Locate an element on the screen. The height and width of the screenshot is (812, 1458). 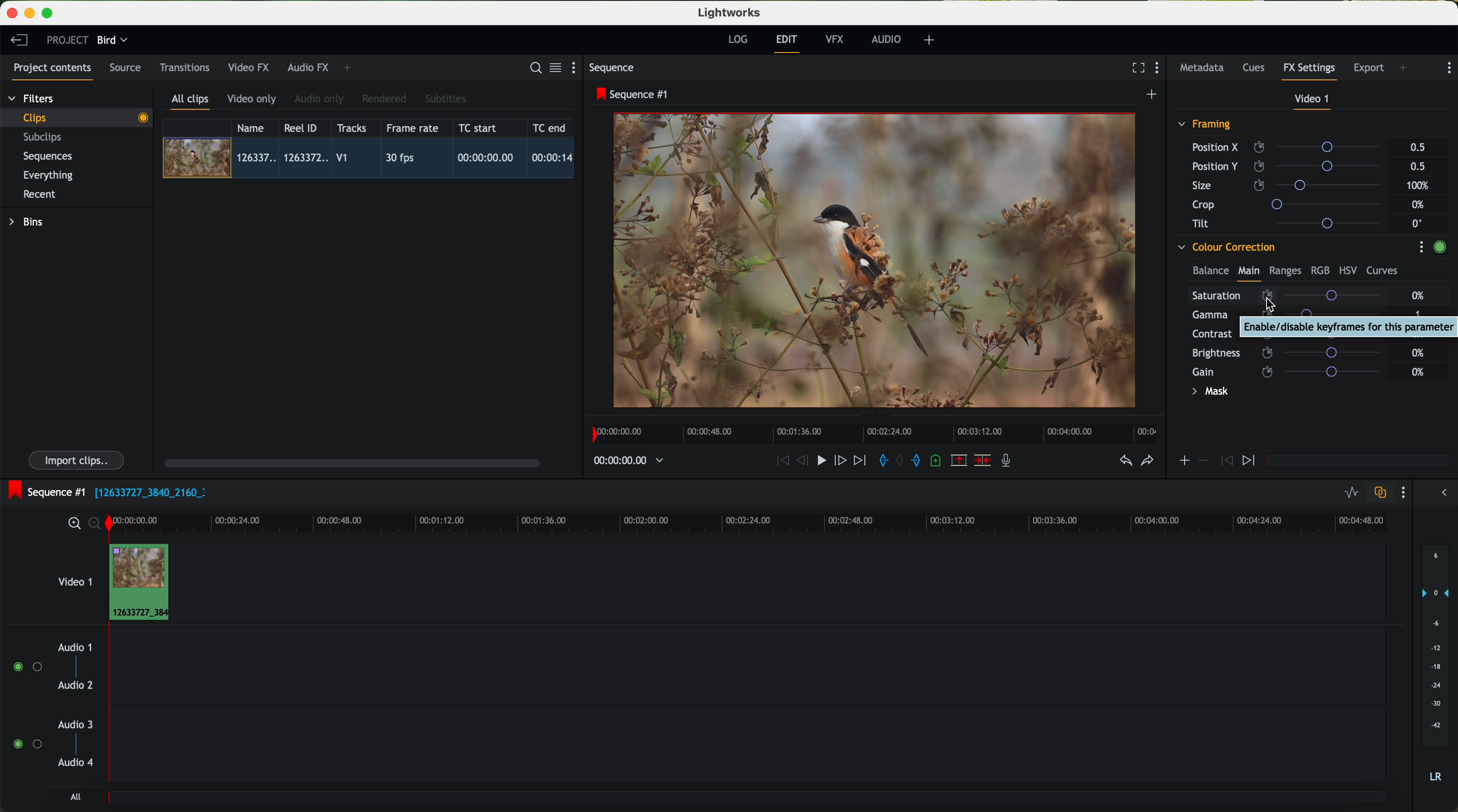
record a voice-over is located at coordinates (1010, 462).